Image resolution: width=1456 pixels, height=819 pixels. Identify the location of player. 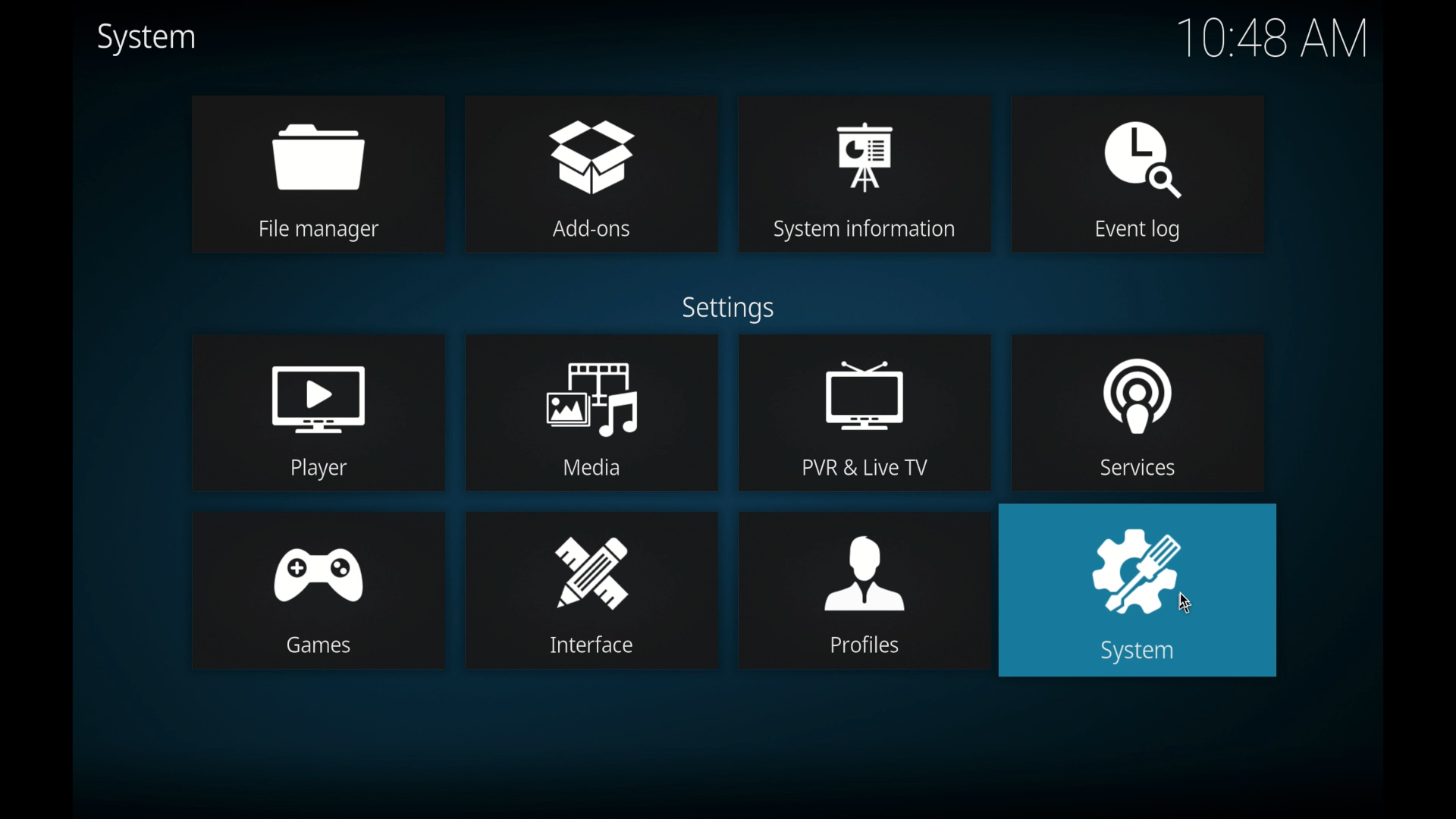
(317, 412).